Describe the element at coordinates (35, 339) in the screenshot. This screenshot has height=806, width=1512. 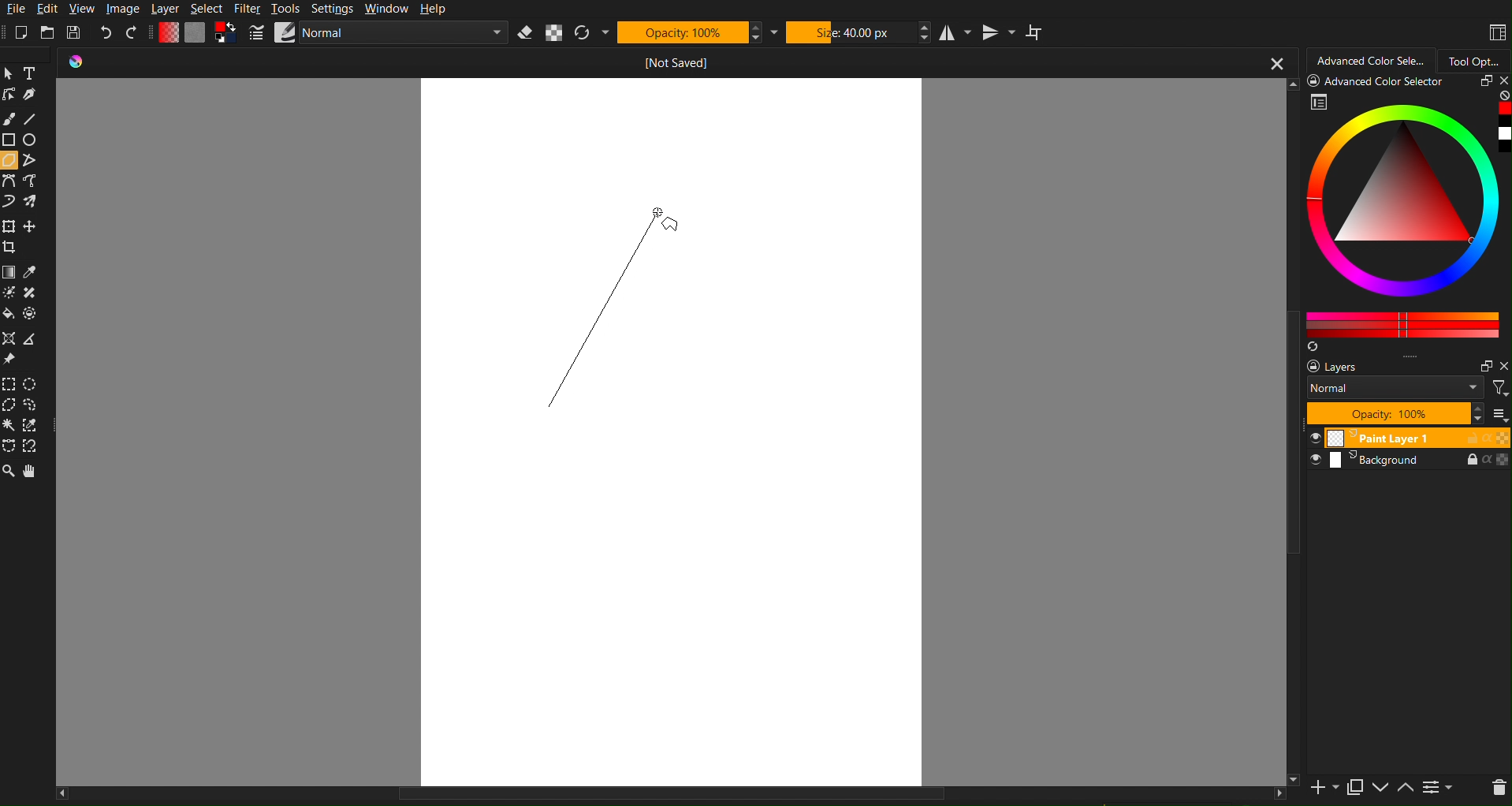
I see `measure the distance between two points` at that location.